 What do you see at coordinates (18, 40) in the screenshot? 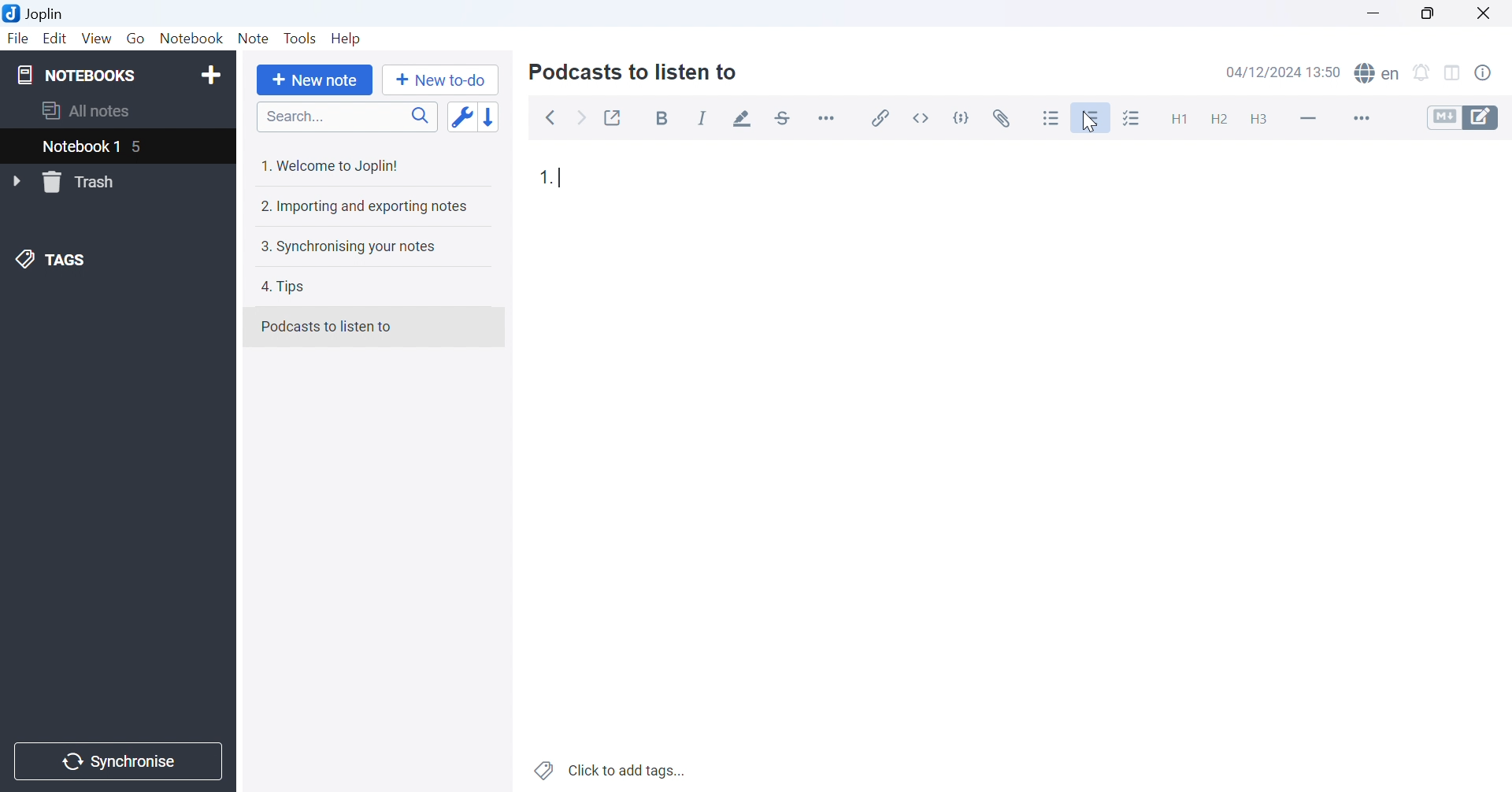
I see `File` at bounding box center [18, 40].